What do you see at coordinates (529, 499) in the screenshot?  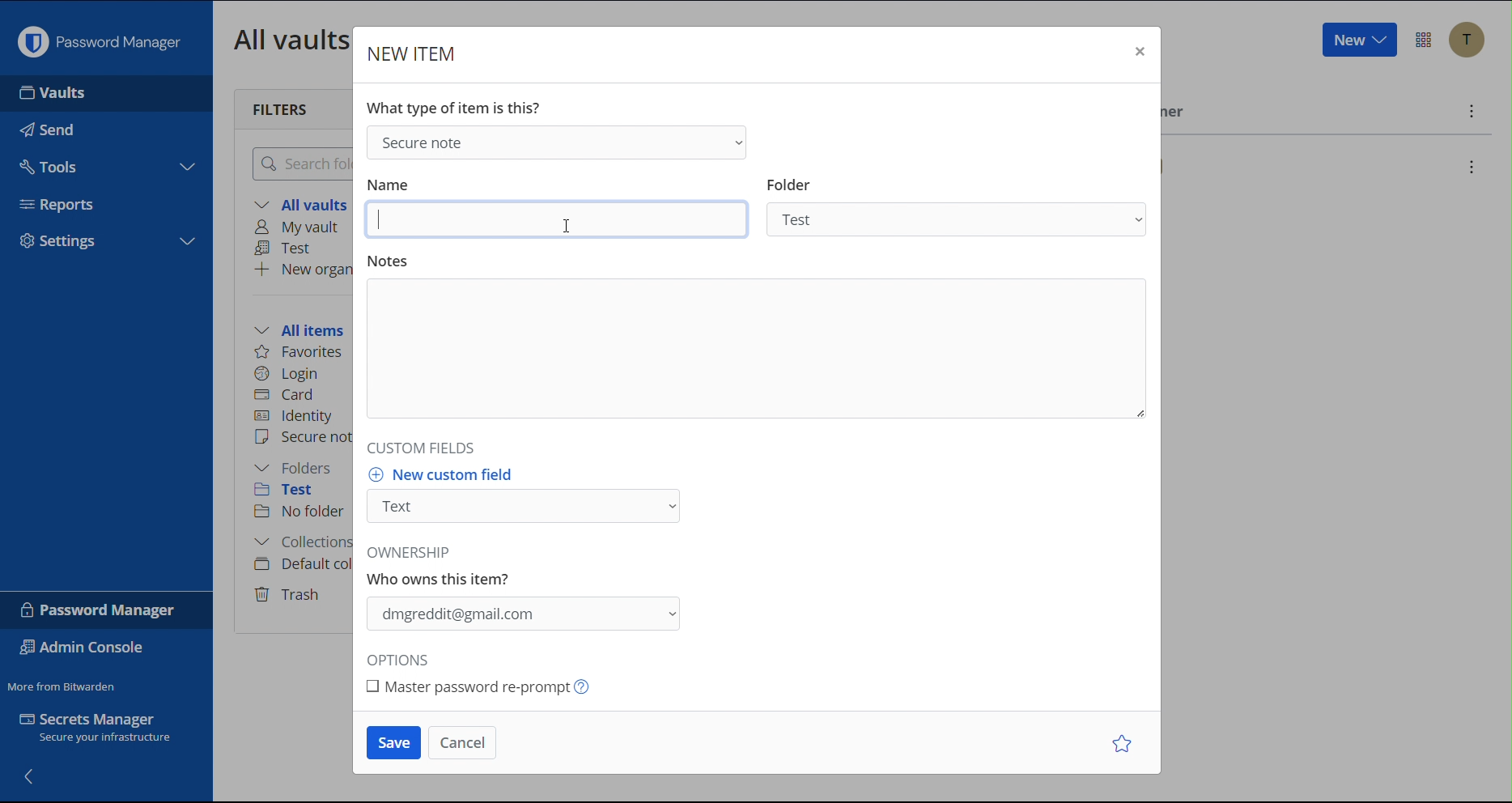 I see `New custom Field` at bounding box center [529, 499].